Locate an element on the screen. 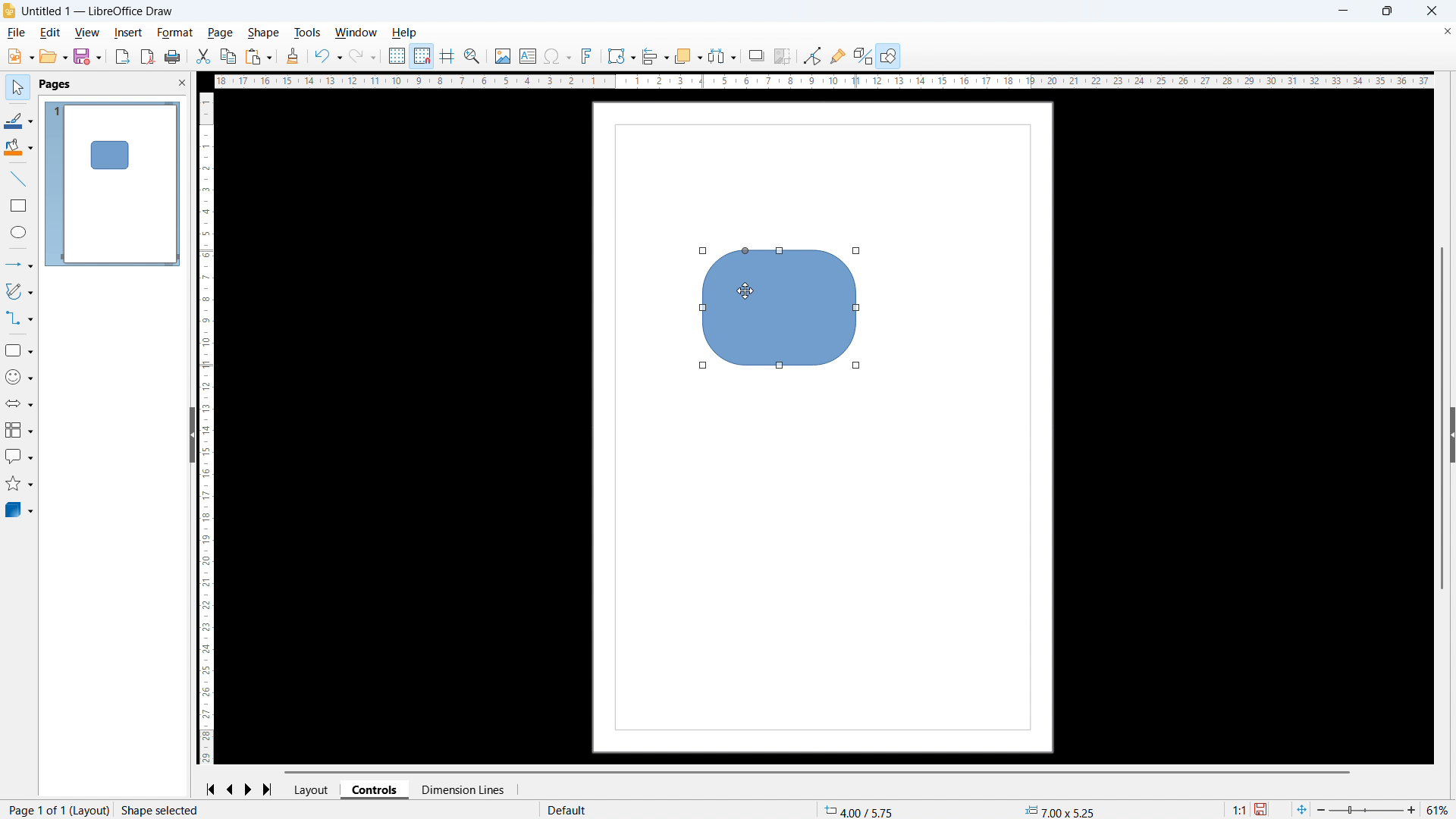 This screenshot has width=1456, height=819. Guidelines while moving  is located at coordinates (447, 57).